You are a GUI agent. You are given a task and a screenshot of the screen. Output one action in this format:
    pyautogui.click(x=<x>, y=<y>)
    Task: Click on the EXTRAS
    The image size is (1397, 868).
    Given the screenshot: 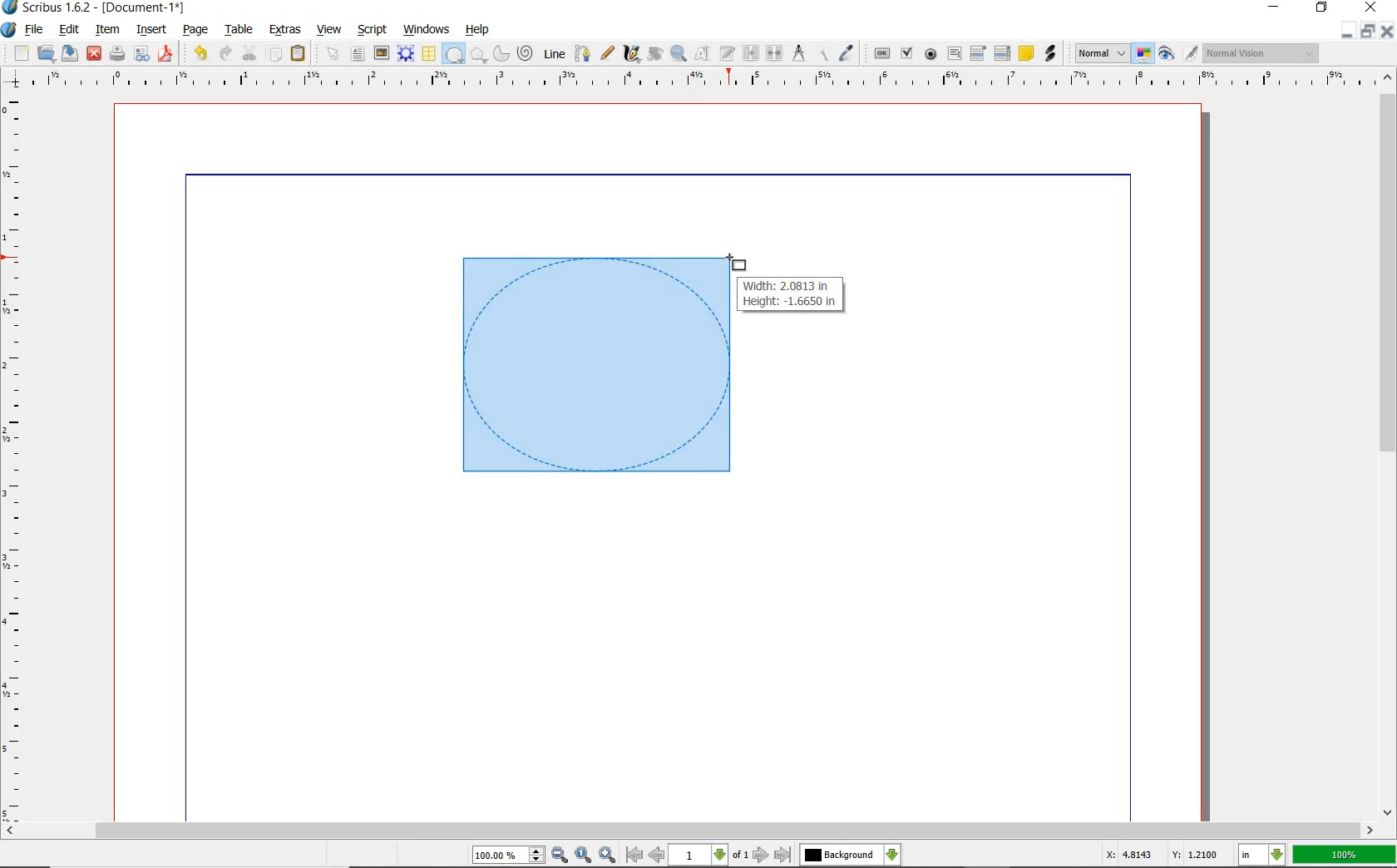 What is the action you would take?
    pyautogui.click(x=285, y=30)
    